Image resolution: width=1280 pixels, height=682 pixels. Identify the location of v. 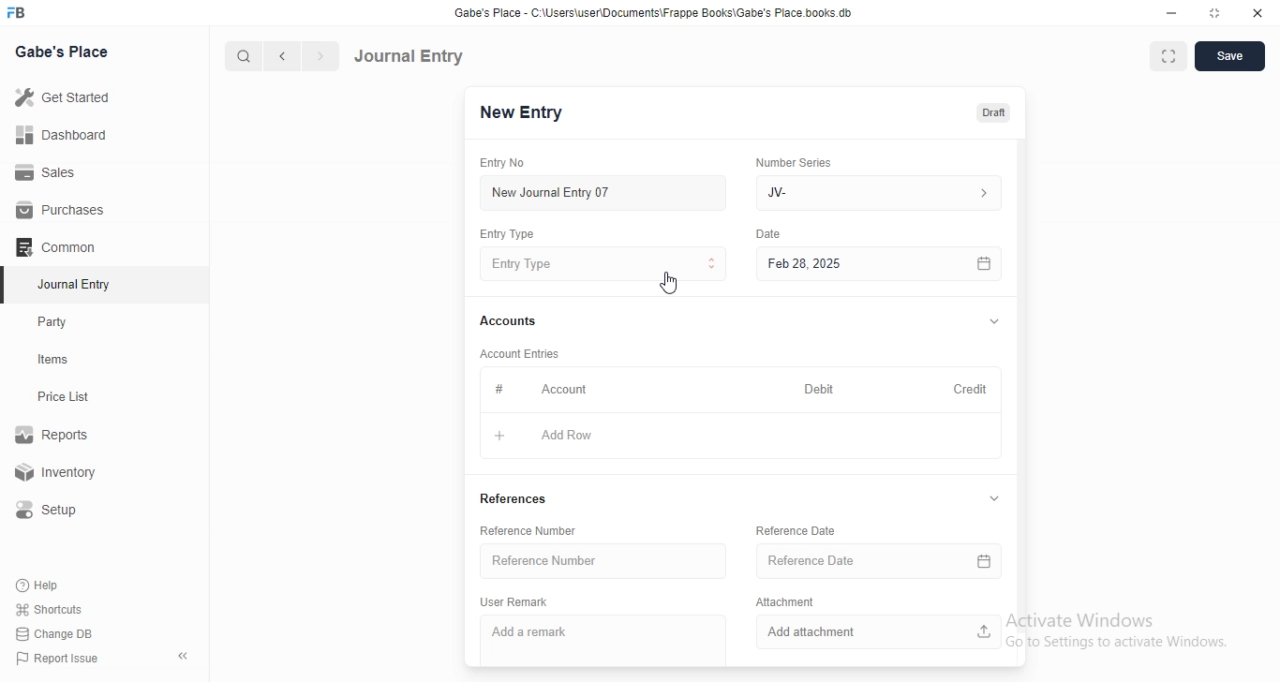
(998, 500).